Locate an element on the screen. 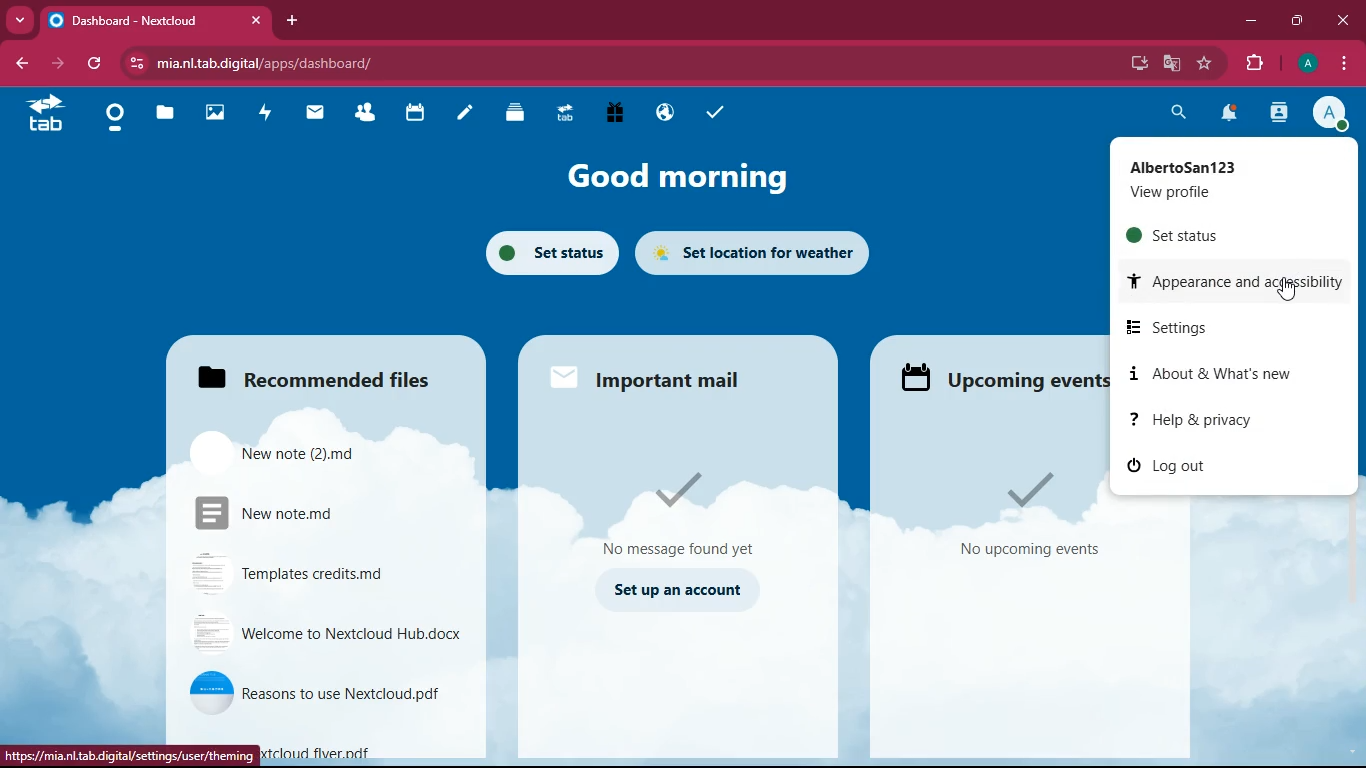 Image resolution: width=1366 pixels, height=768 pixels. file is located at coordinates (327, 693).